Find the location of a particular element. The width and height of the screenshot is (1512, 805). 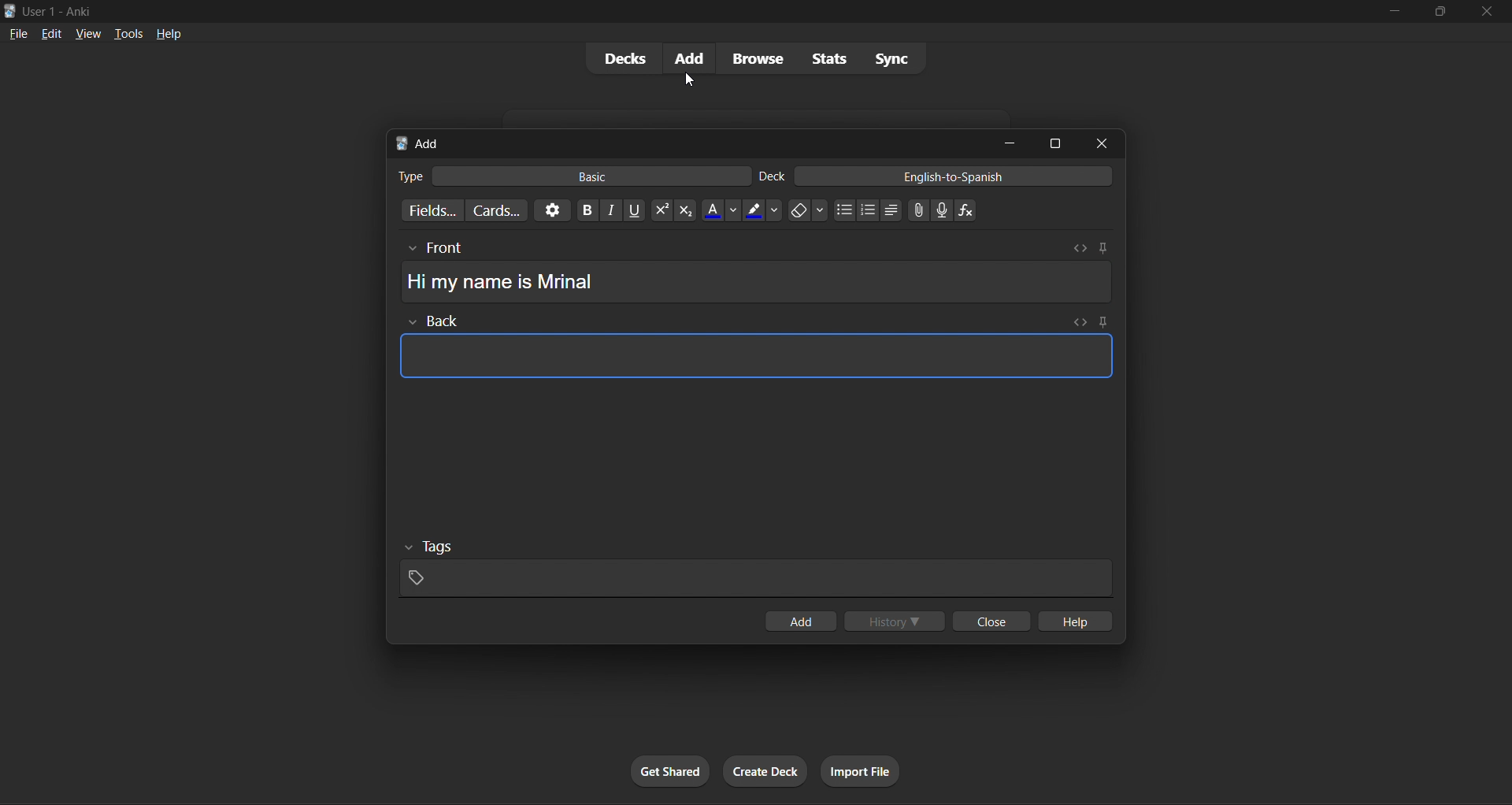

minimize is located at coordinates (1392, 14).